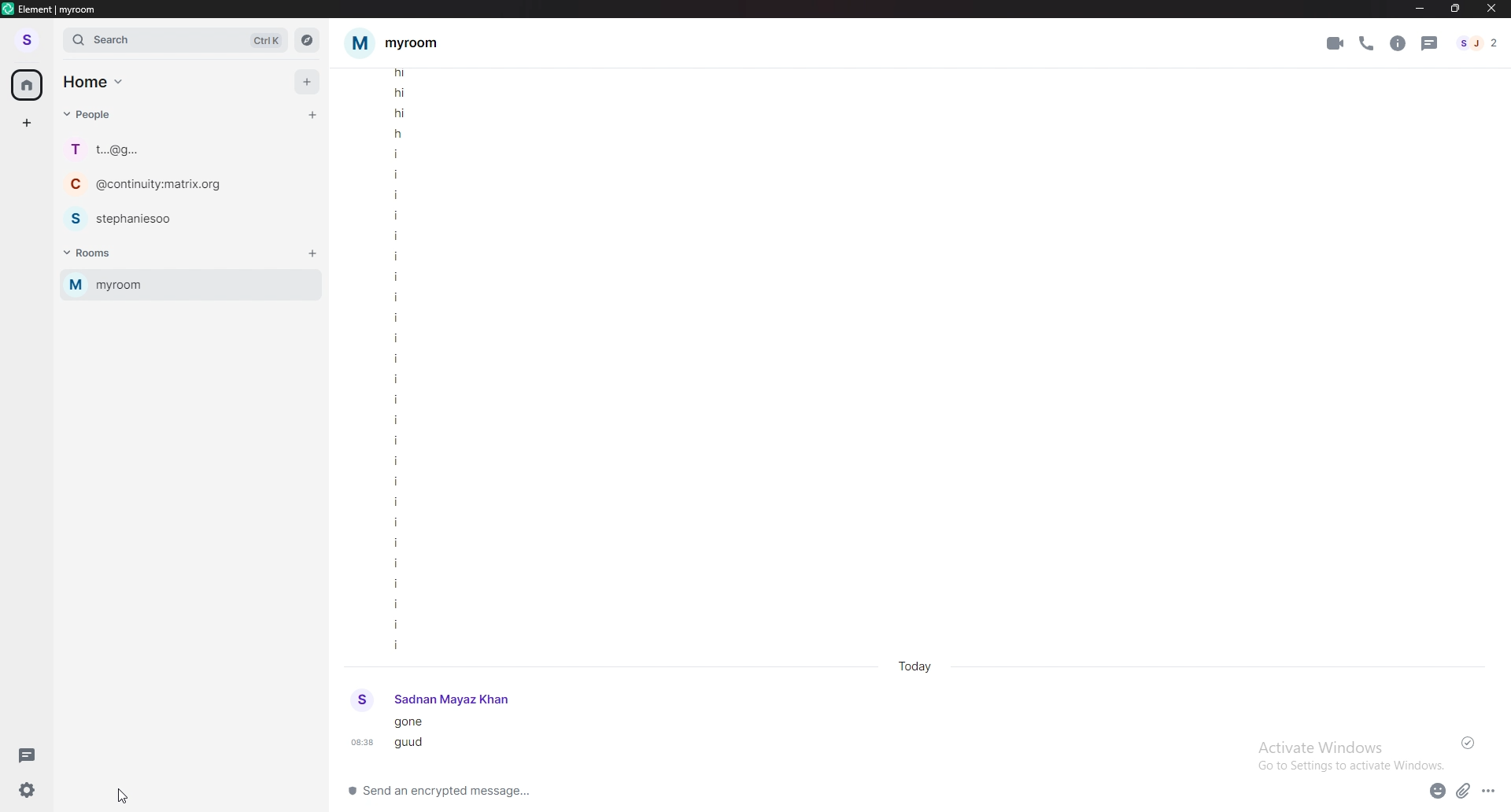  Describe the element at coordinates (28, 123) in the screenshot. I see `create a space` at that location.